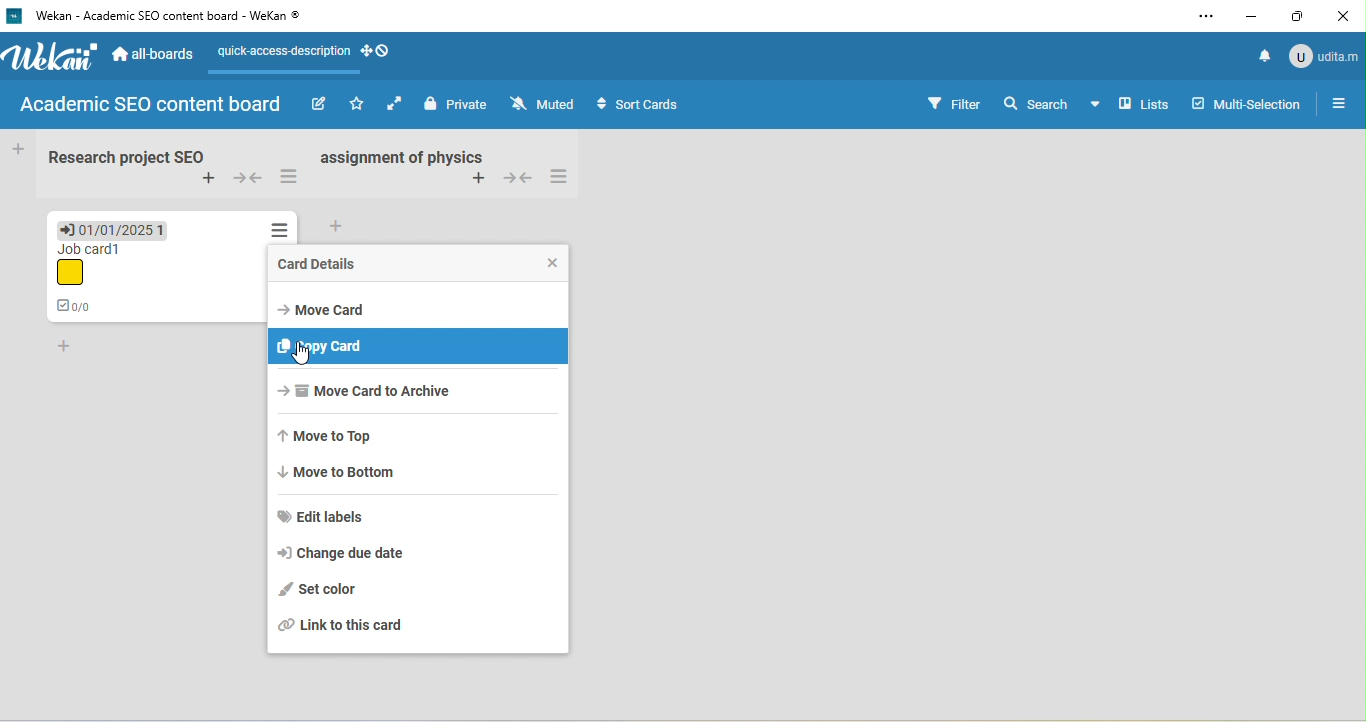 This screenshot has height=722, width=1366. Describe the element at coordinates (478, 179) in the screenshot. I see `add` at that location.